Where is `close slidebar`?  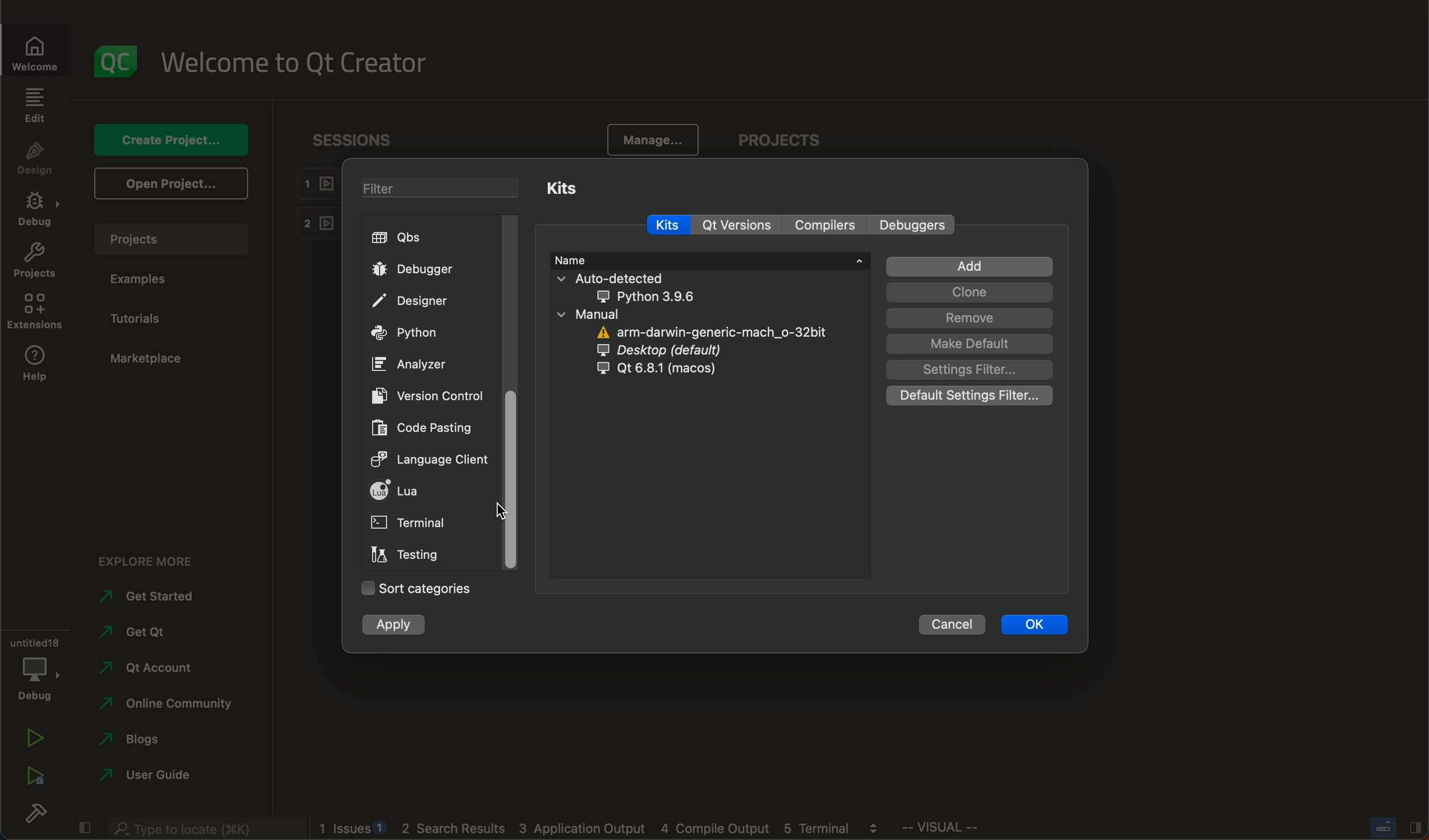 close slidebar is located at coordinates (84, 828).